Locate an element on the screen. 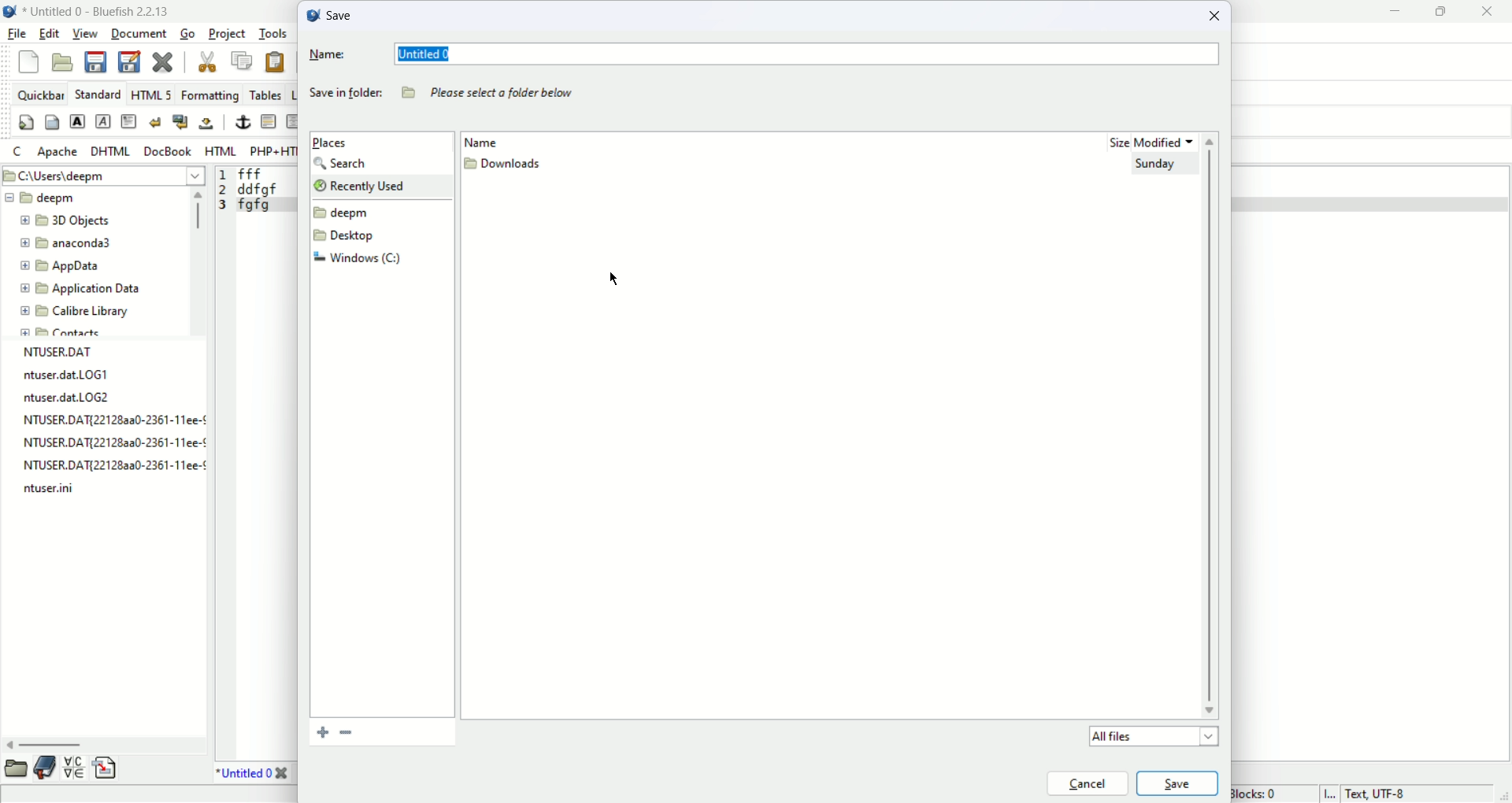 The image size is (1512, 803). window is located at coordinates (360, 259).